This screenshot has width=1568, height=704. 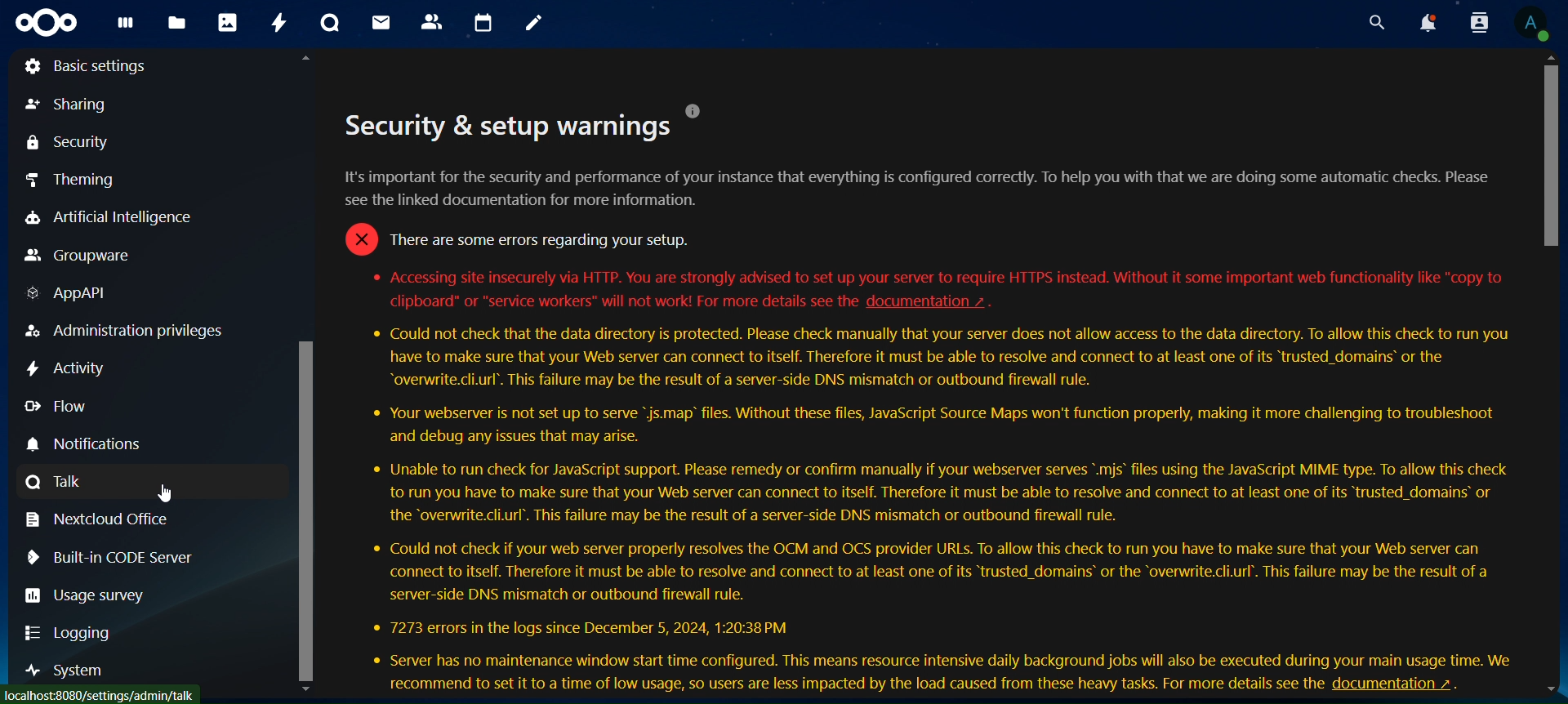 What do you see at coordinates (131, 29) in the screenshot?
I see `dashboard` at bounding box center [131, 29].